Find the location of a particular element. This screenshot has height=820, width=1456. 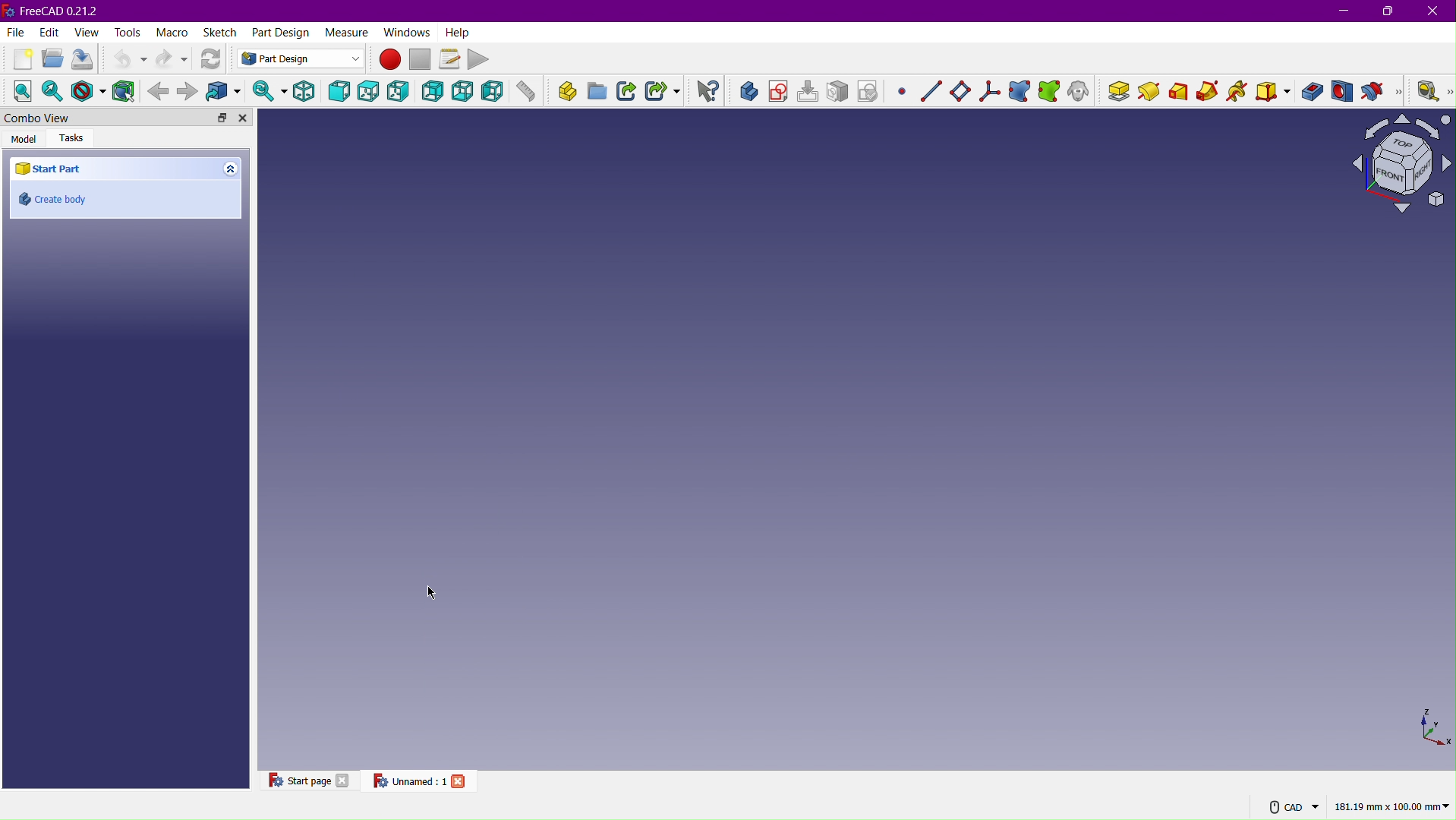

Create body is located at coordinates (125, 200).